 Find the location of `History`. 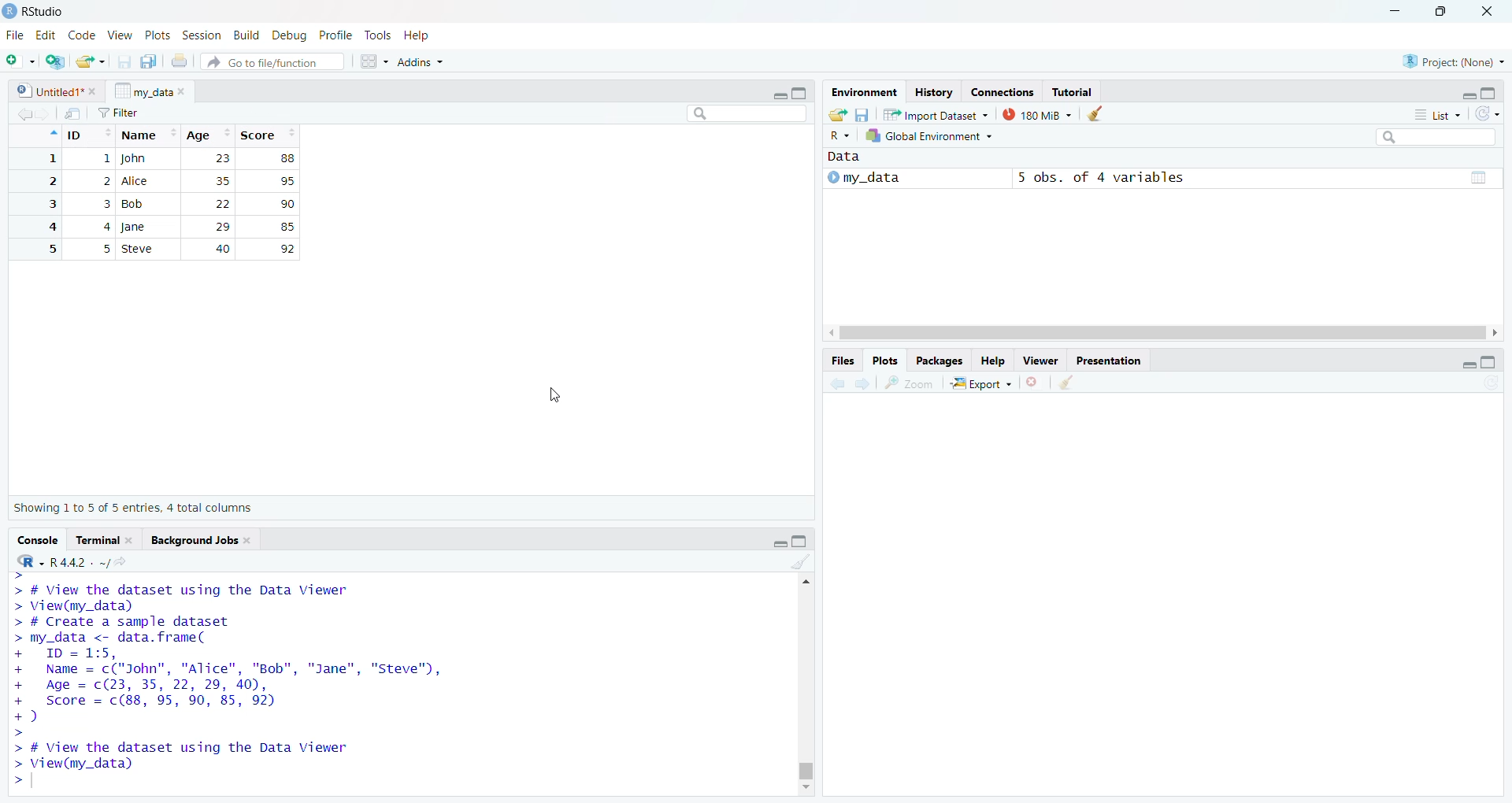

History is located at coordinates (932, 94).